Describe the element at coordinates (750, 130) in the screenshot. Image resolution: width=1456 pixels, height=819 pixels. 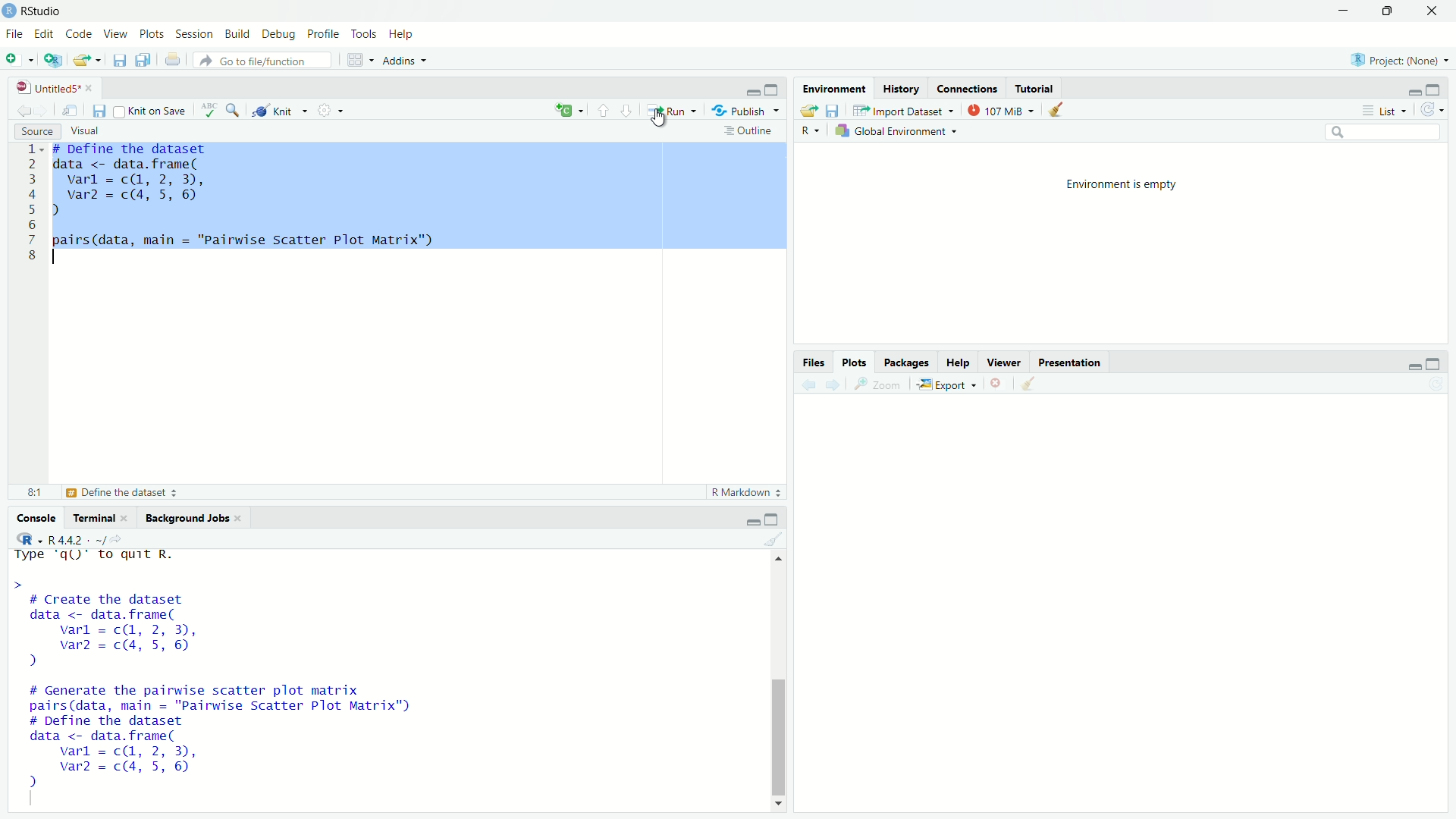
I see `Show document outline (Ctrl + Shift + O)` at that location.